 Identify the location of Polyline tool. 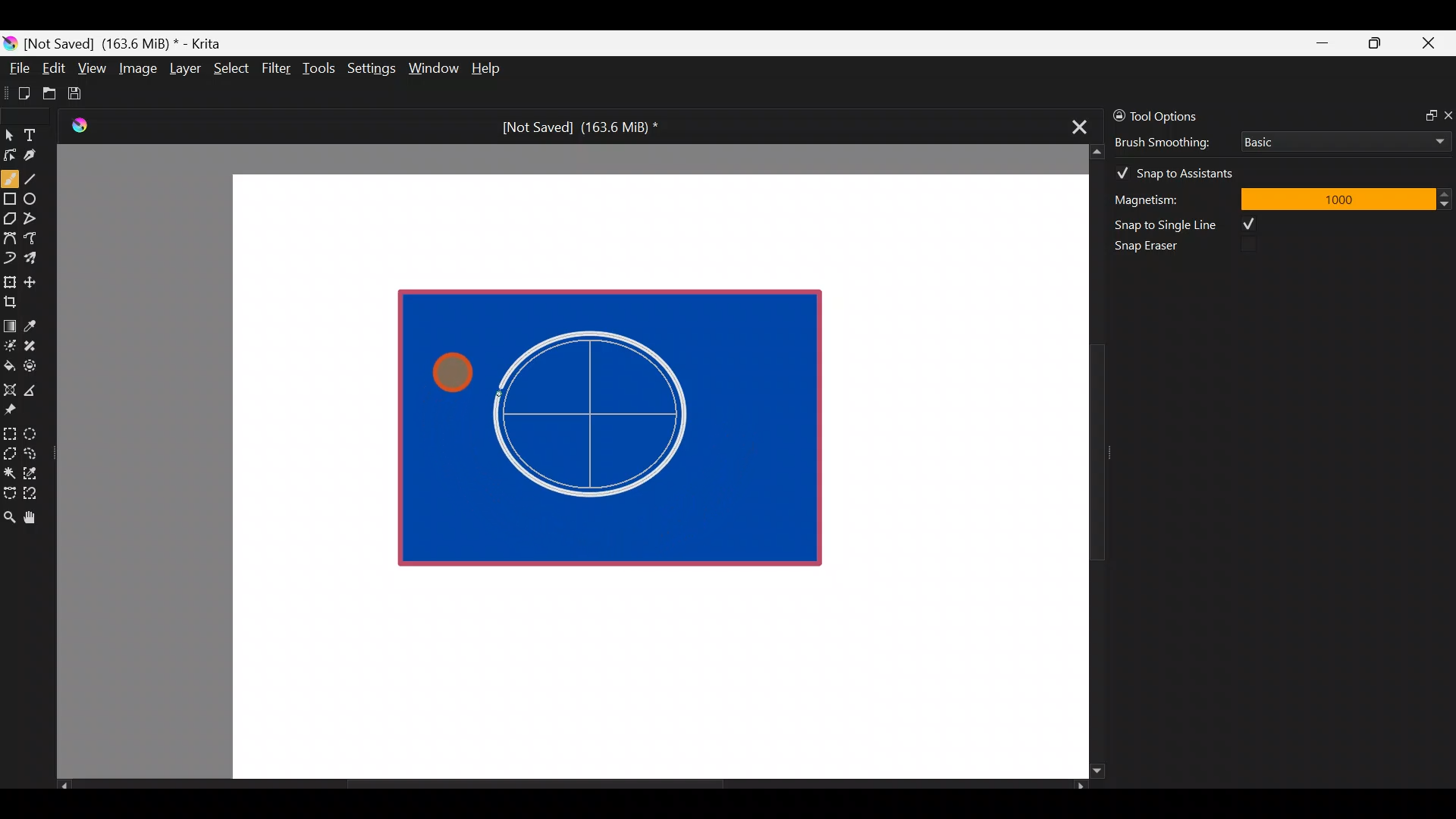
(36, 219).